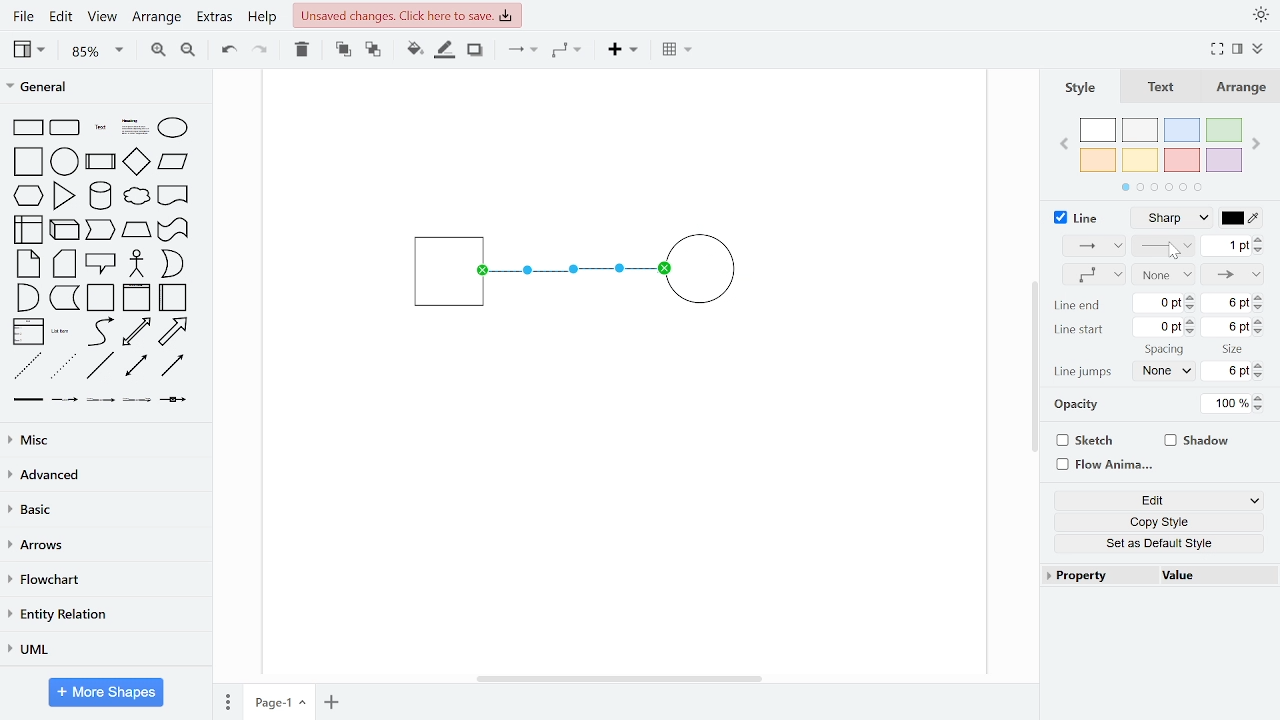 The height and width of the screenshot is (720, 1280). Describe the element at coordinates (26, 16) in the screenshot. I see `file` at that location.